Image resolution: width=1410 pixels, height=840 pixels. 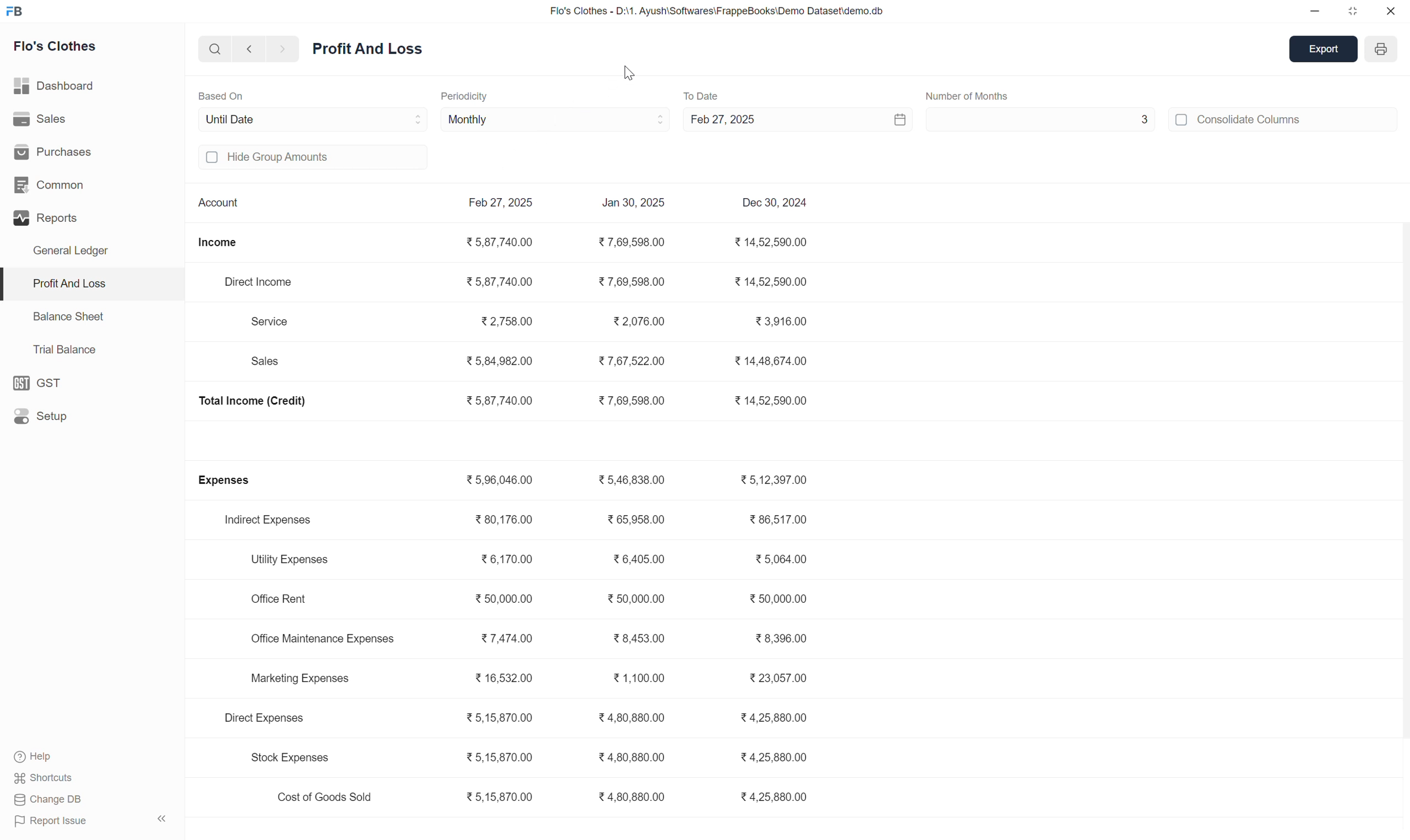 I want to click on ₹5,84,982.00, so click(x=506, y=358).